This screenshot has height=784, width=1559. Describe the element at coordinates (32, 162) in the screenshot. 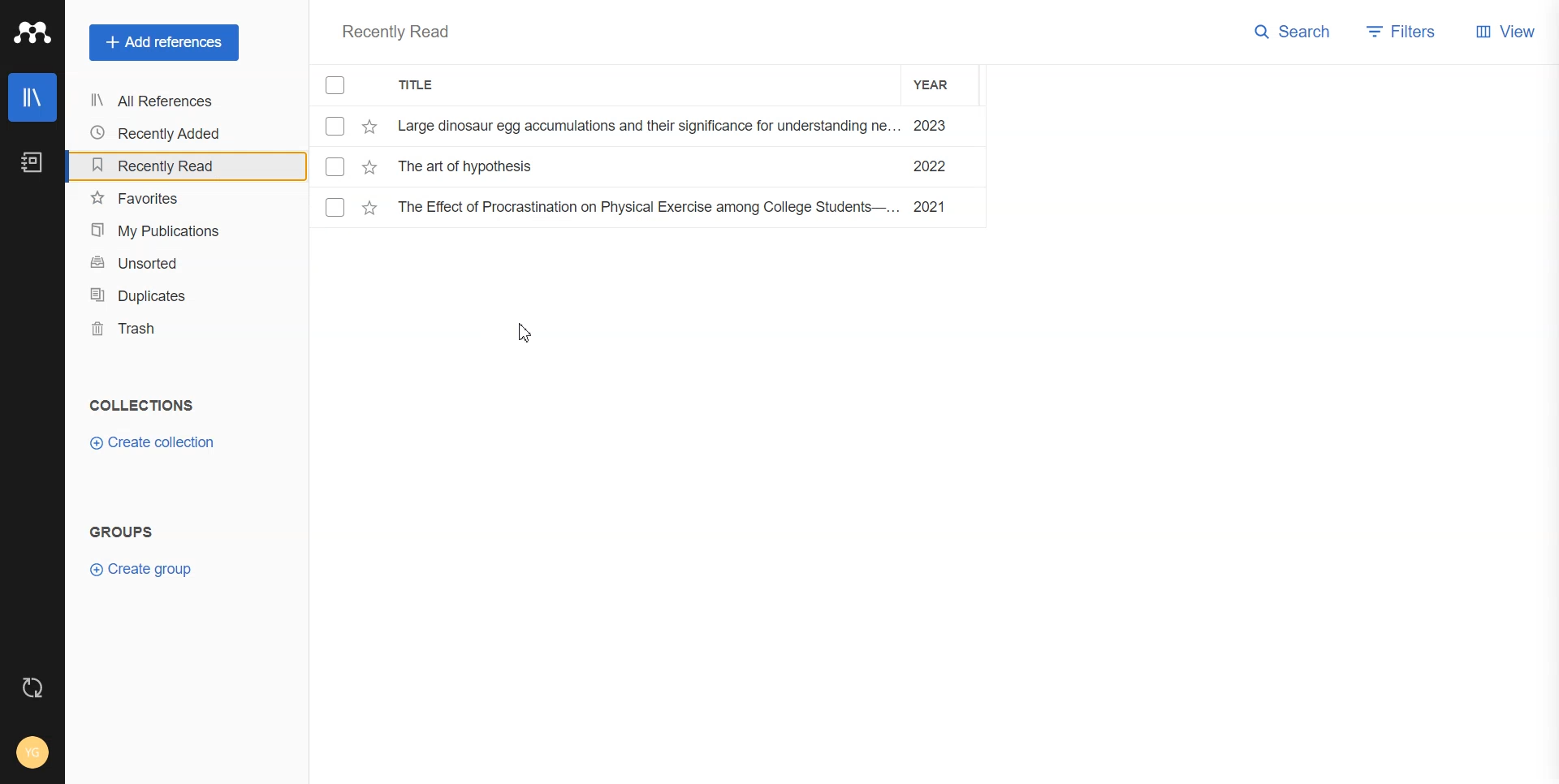

I see `Notebook` at that location.